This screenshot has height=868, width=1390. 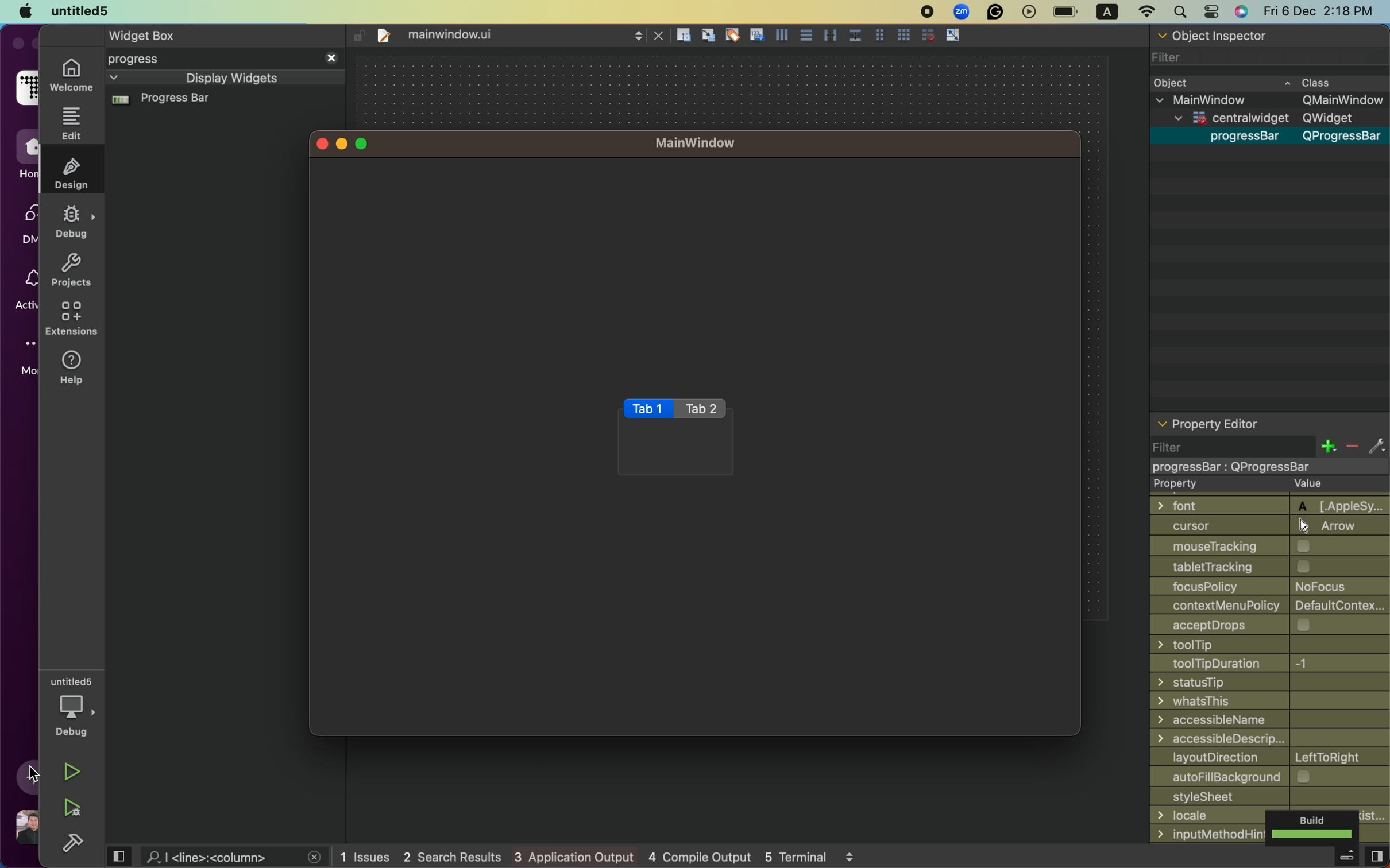 What do you see at coordinates (1269, 701) in the screenshot?
I see `what's this` at bounding box center [1269, 701].